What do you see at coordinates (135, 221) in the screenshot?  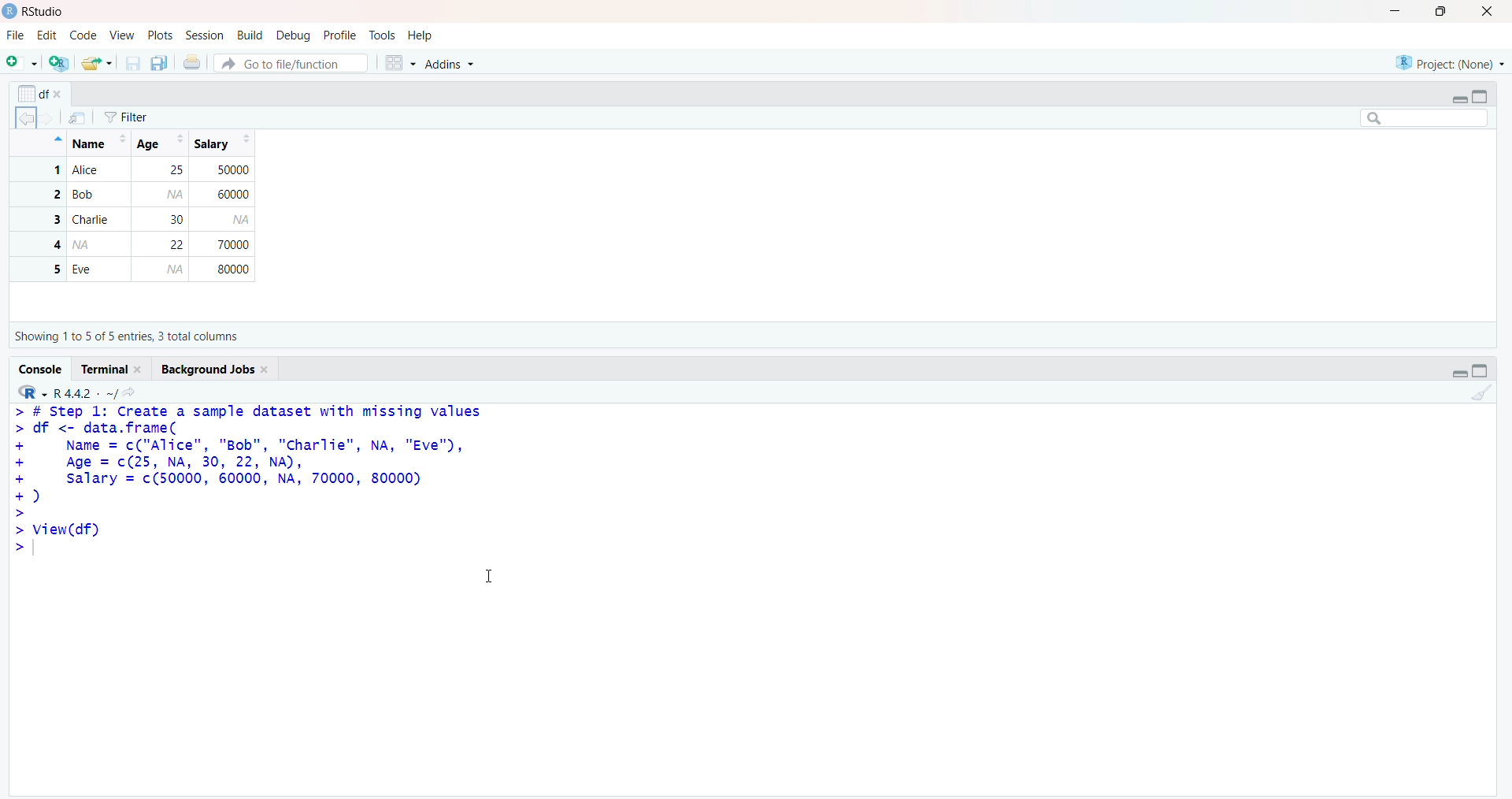 I see `1 Alice 25 50000
2 Bob 60000
3 Charlie 30

4 2 70000
5 Eve 80000` at bounding box center [135, 221].